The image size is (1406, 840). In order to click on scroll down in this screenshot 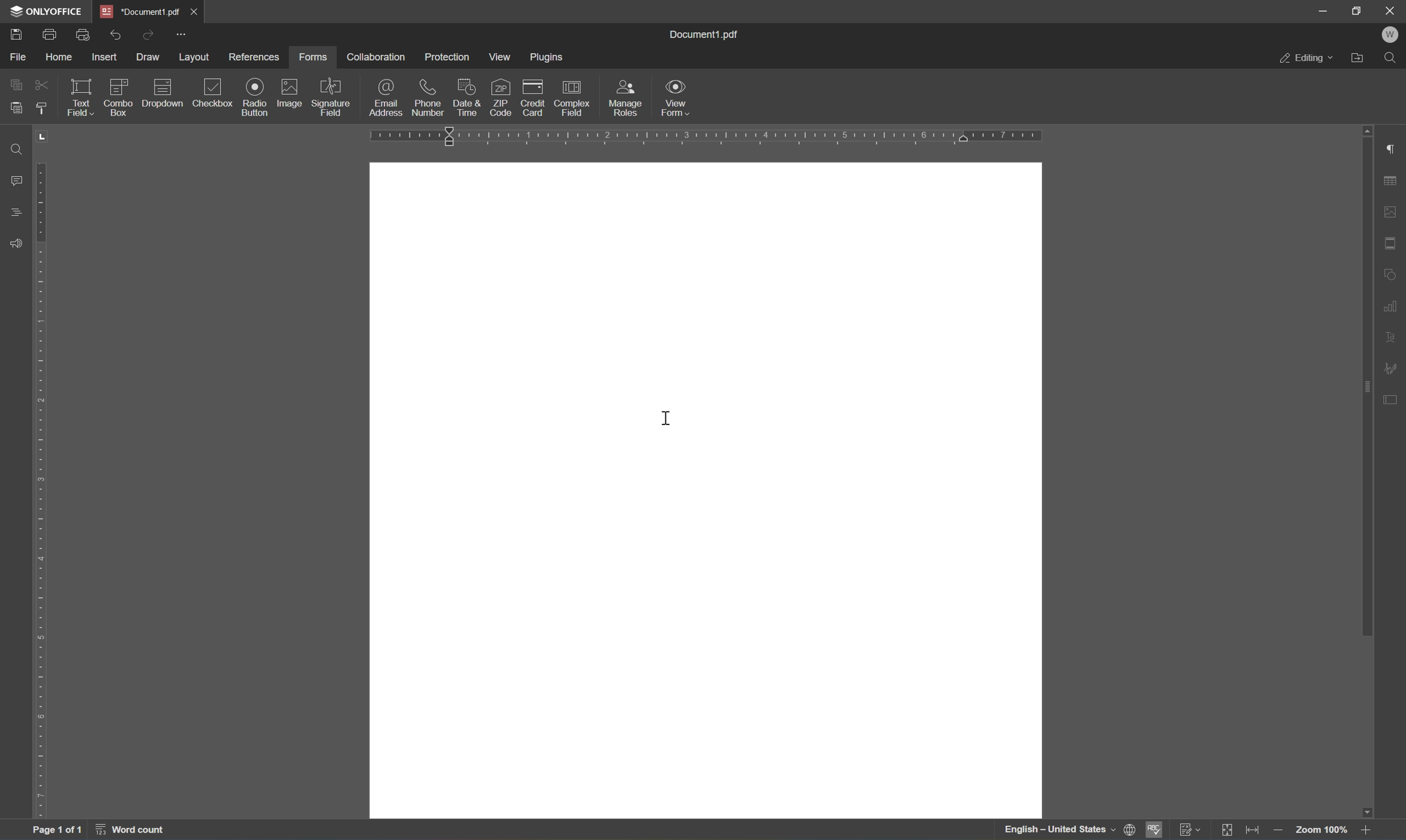, I will do `click(1369, 809)`.